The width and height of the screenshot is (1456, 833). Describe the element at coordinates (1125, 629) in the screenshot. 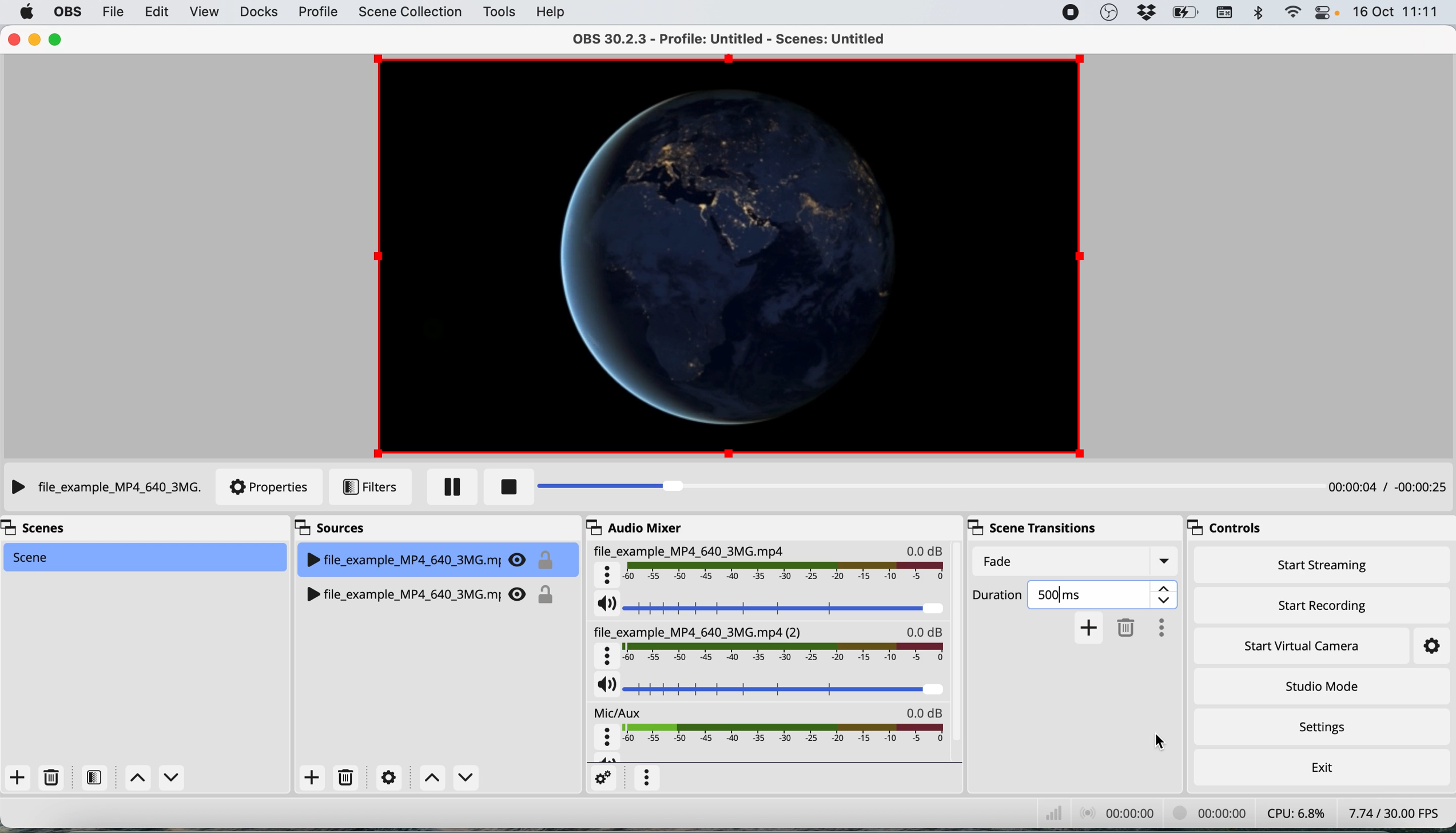

I see `delete transition` at that location.